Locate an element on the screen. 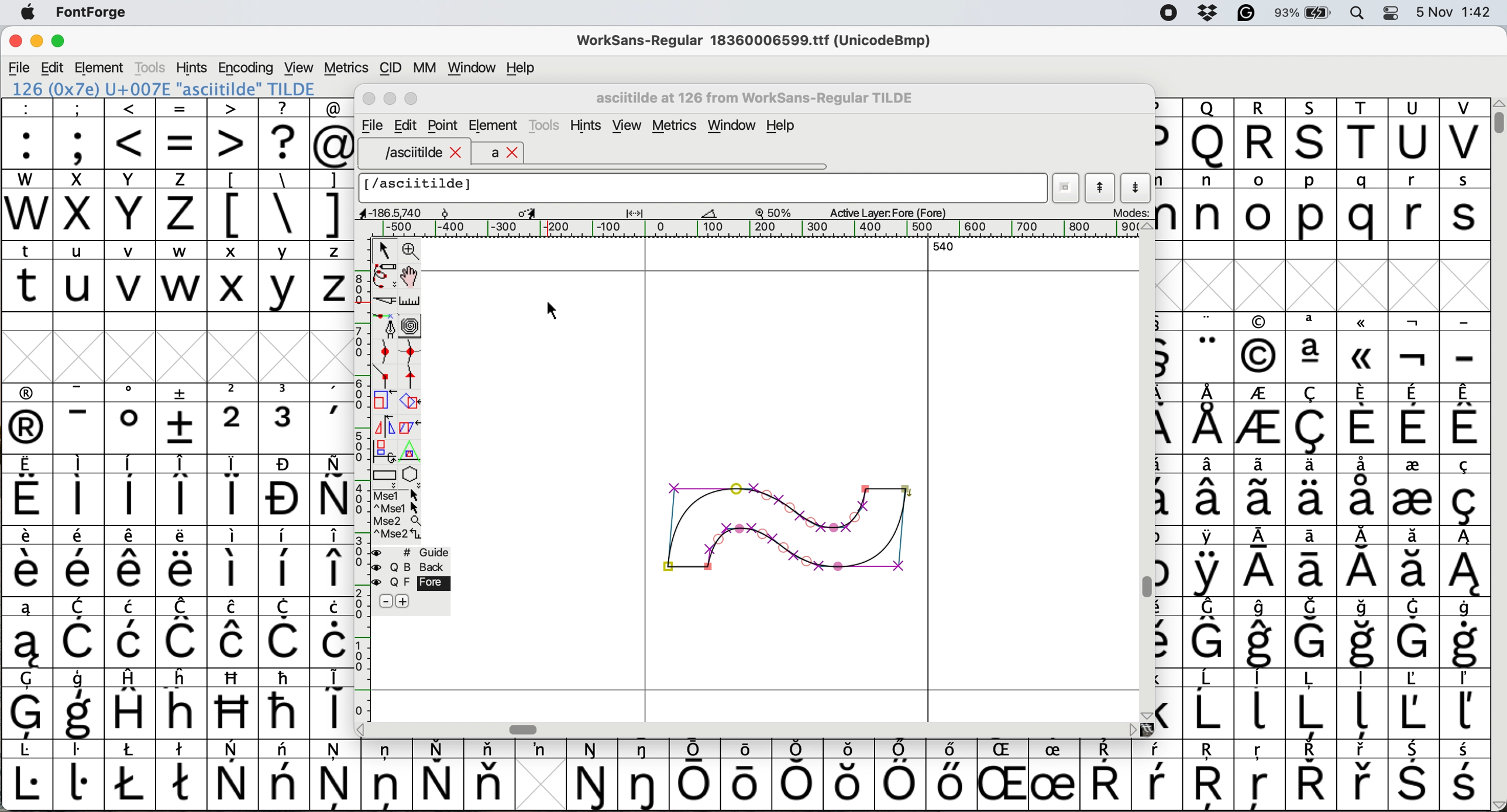 The image size is (1507, 812). cursor is located at coordinates (548, 309).